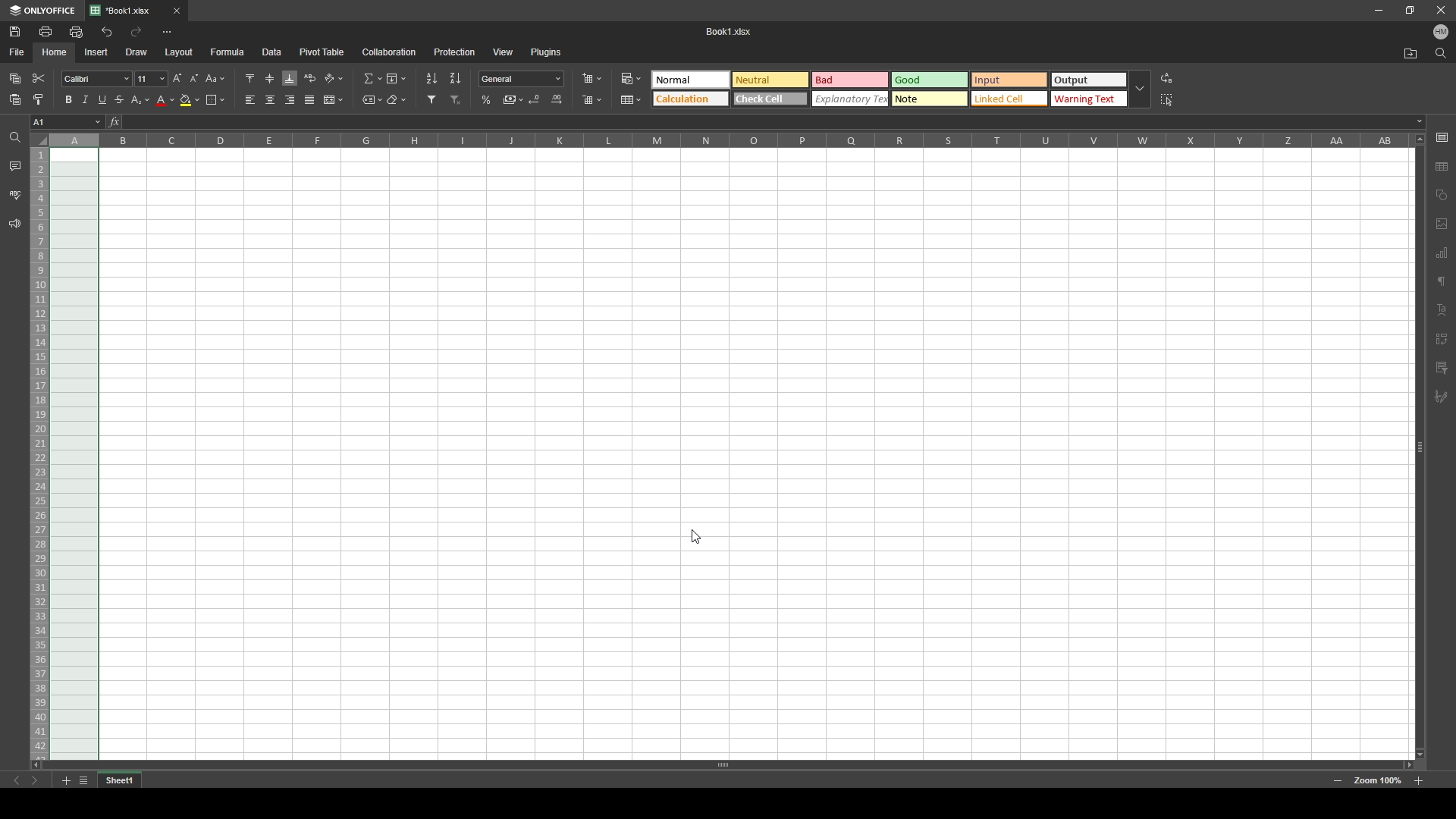 Image resolution: width=1456 pixels, height=819 pixels. What do you see at coordinates (536, 99) in the screenshot?
I see `decrease decimal` at bounding box center [536, 99].